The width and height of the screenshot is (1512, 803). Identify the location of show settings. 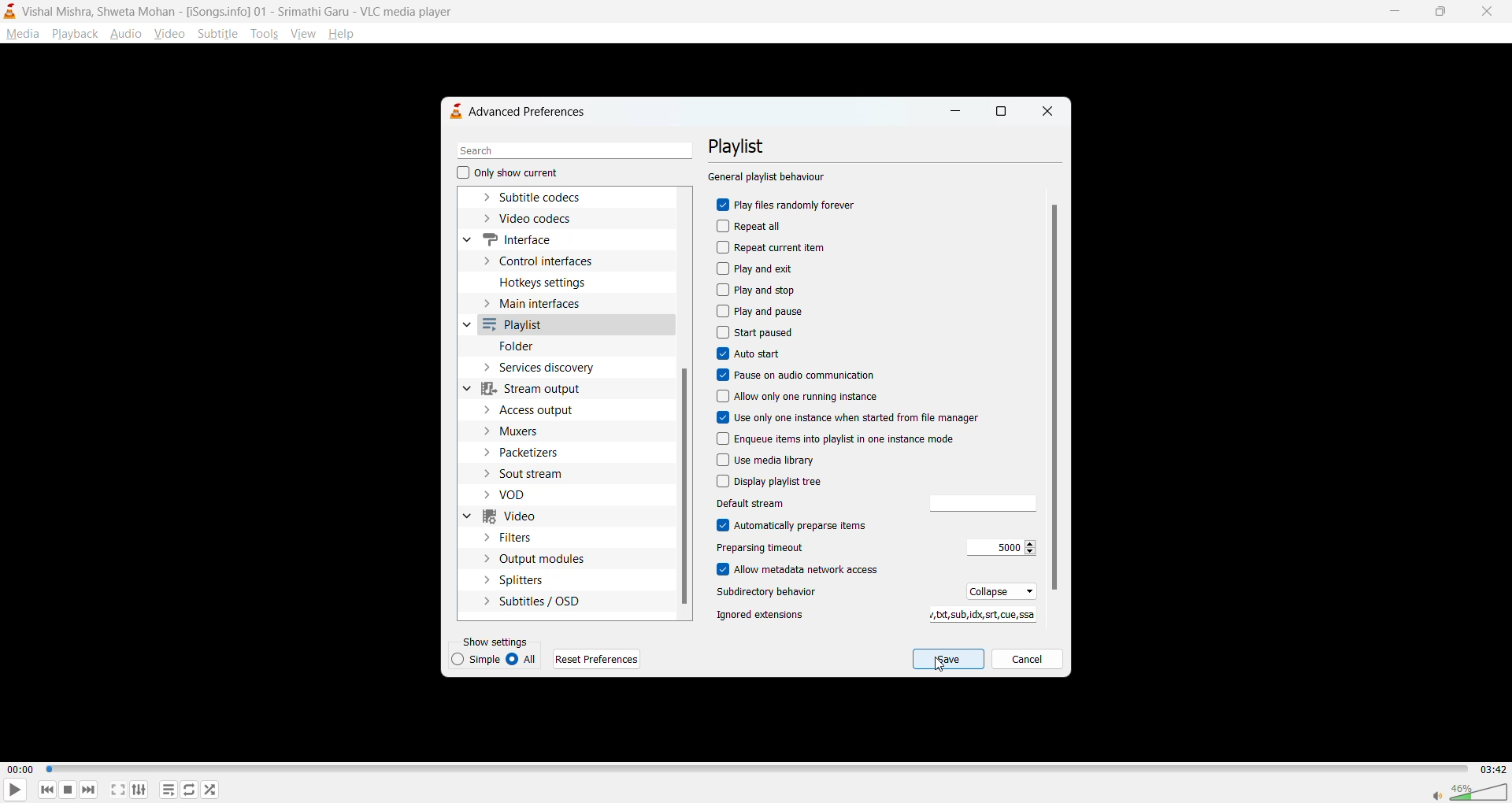
(498, 641).